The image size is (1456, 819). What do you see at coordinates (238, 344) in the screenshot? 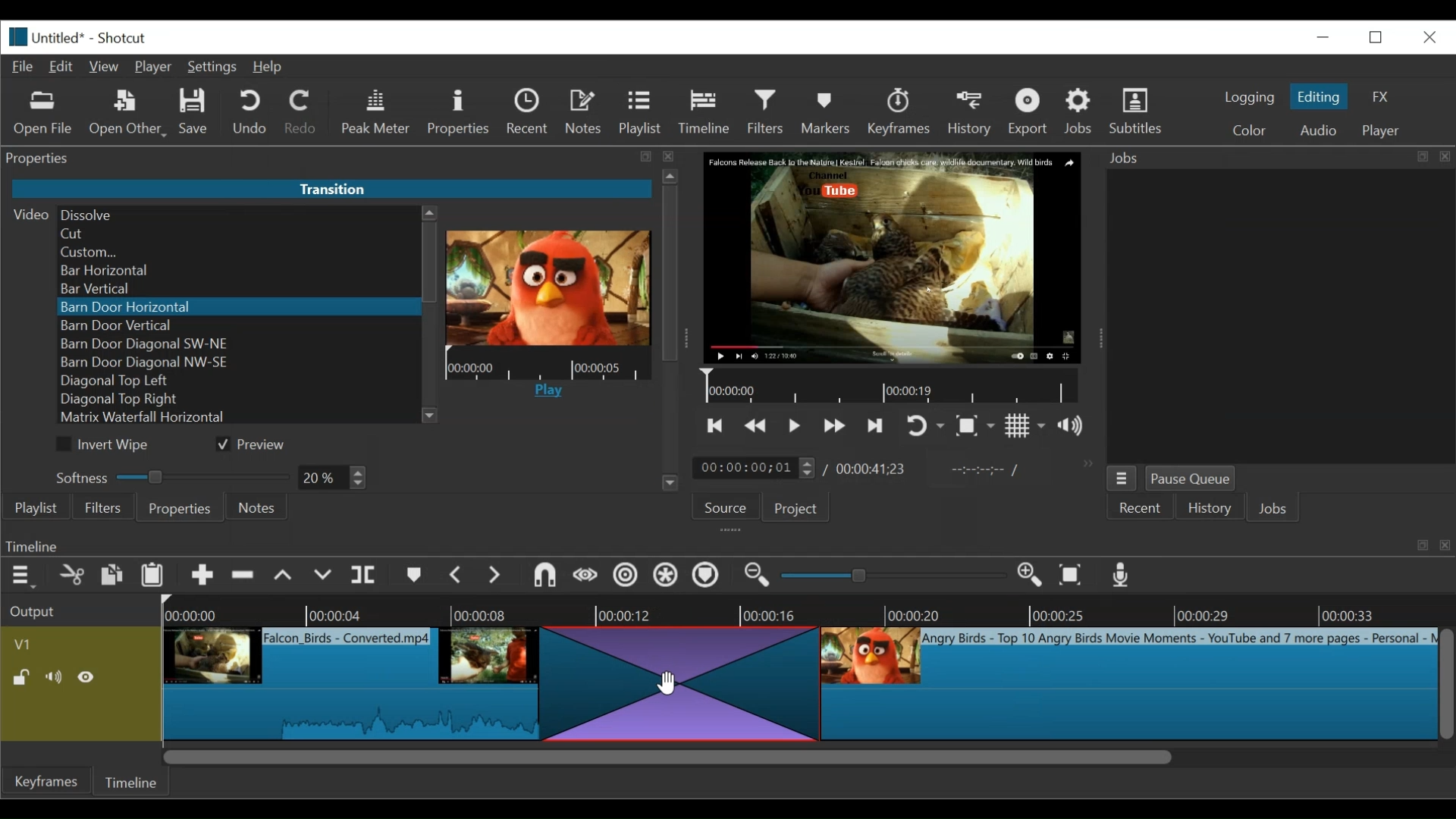
I see `Barn Door Diagonal` at bounding box center [238, 344].